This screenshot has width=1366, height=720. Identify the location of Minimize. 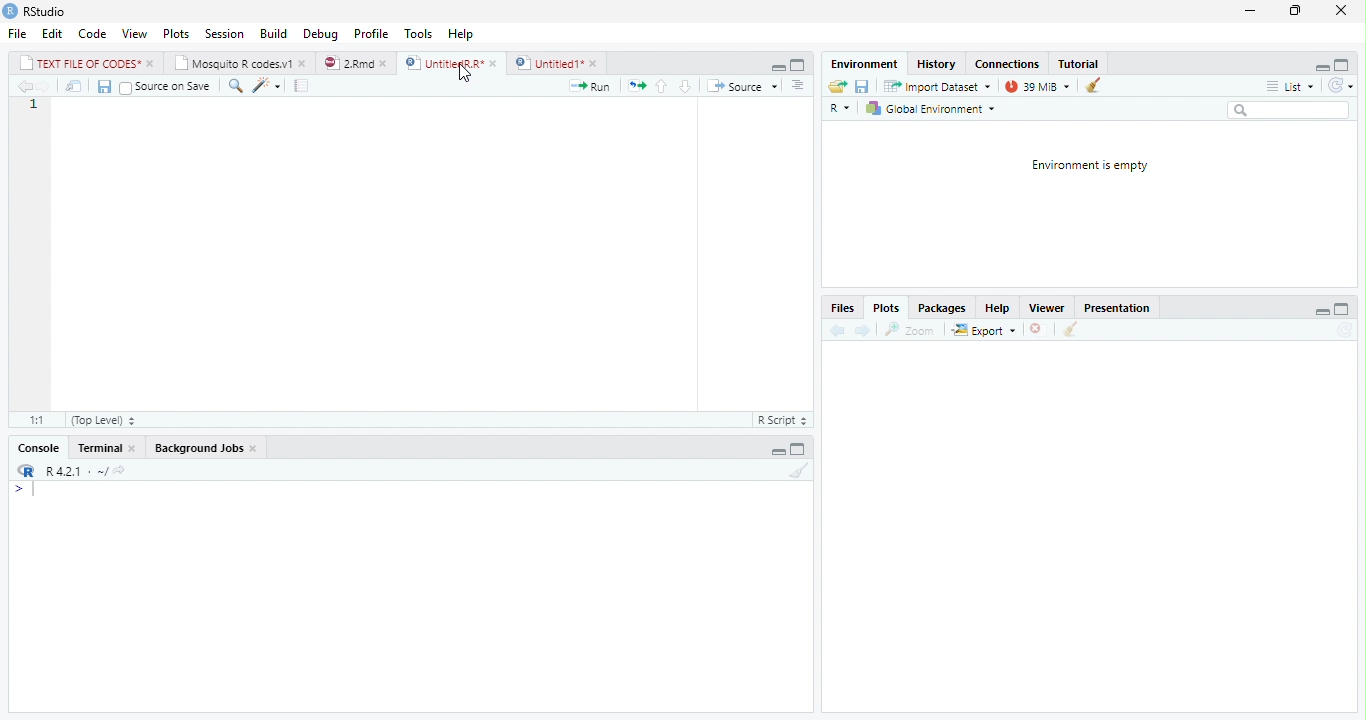
(1322, 309).